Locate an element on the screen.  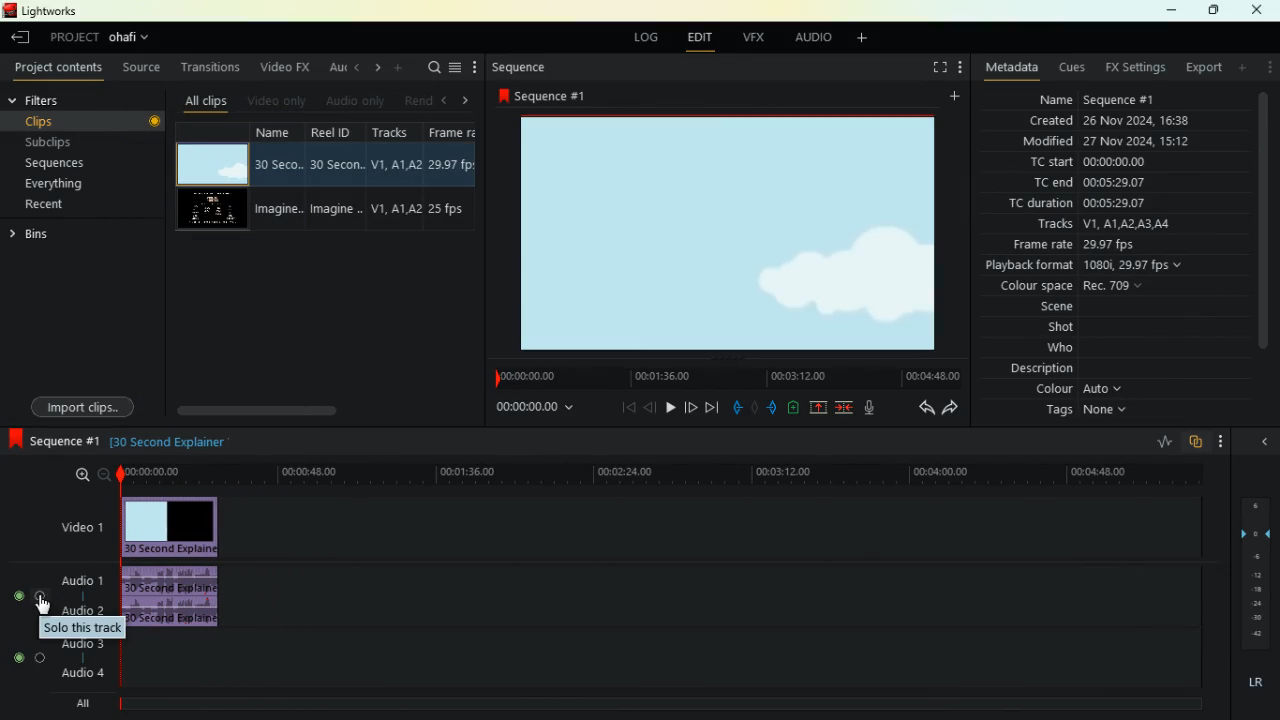
mic is located at coordinates (870, 409).